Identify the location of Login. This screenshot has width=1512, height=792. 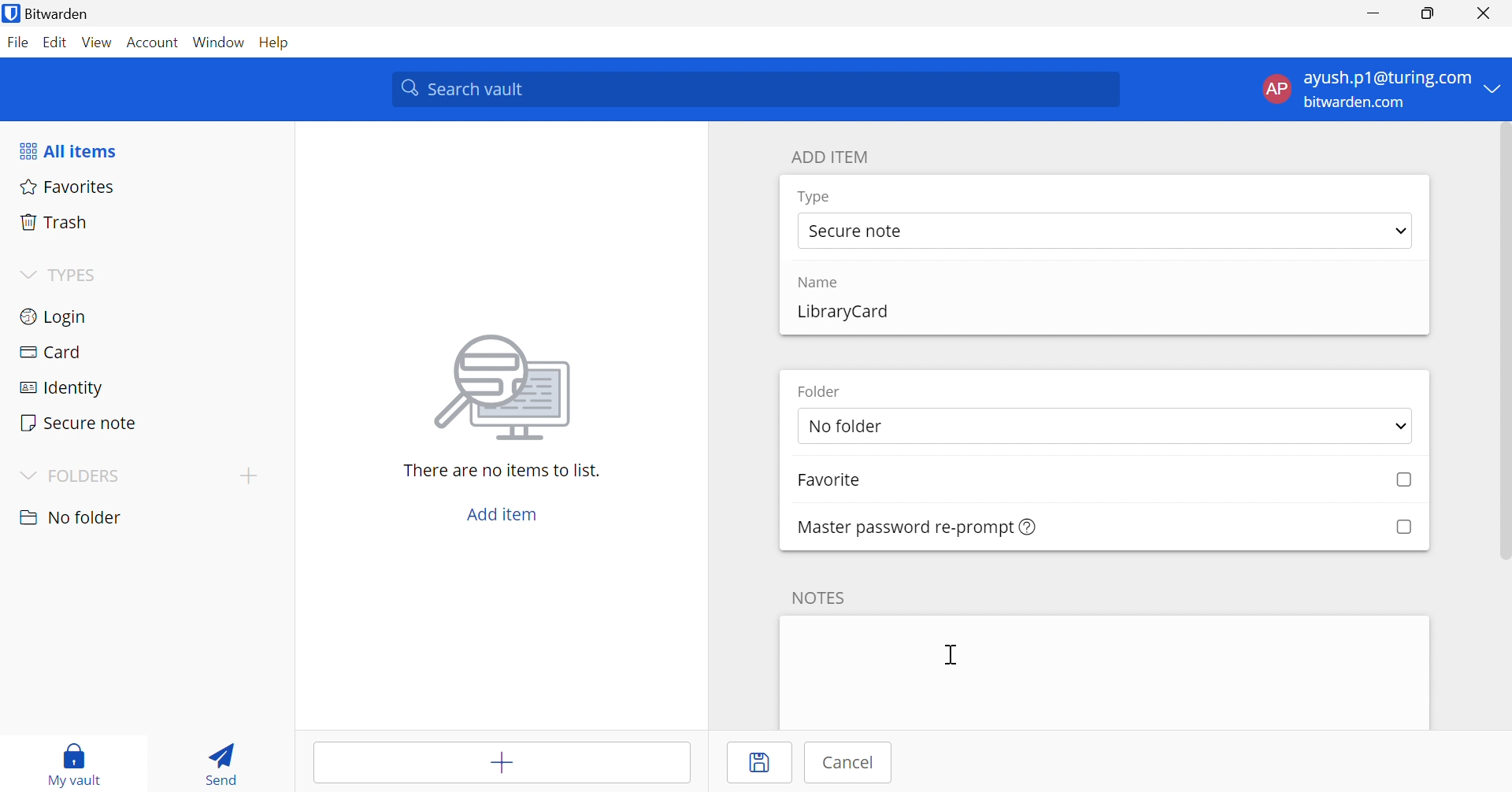
(143, 316).